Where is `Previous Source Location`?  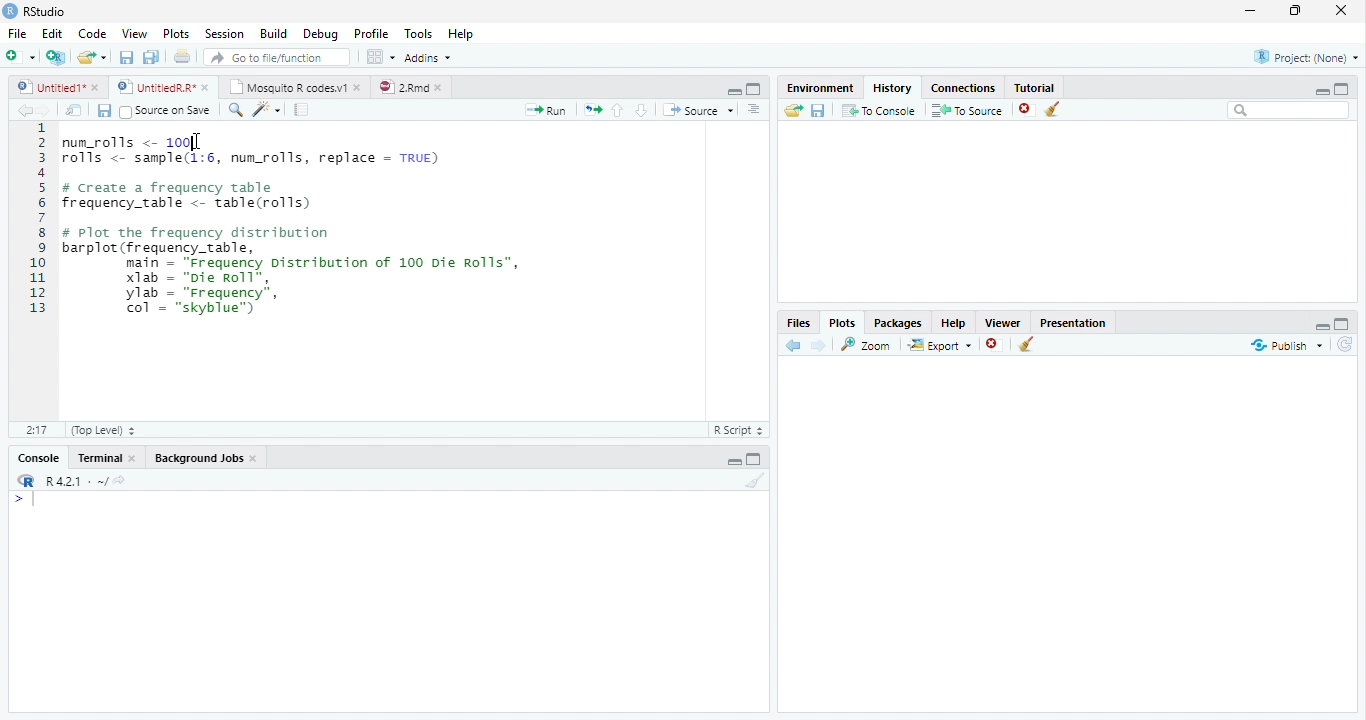 Previous Source Location is located at coordinates (22, 110).